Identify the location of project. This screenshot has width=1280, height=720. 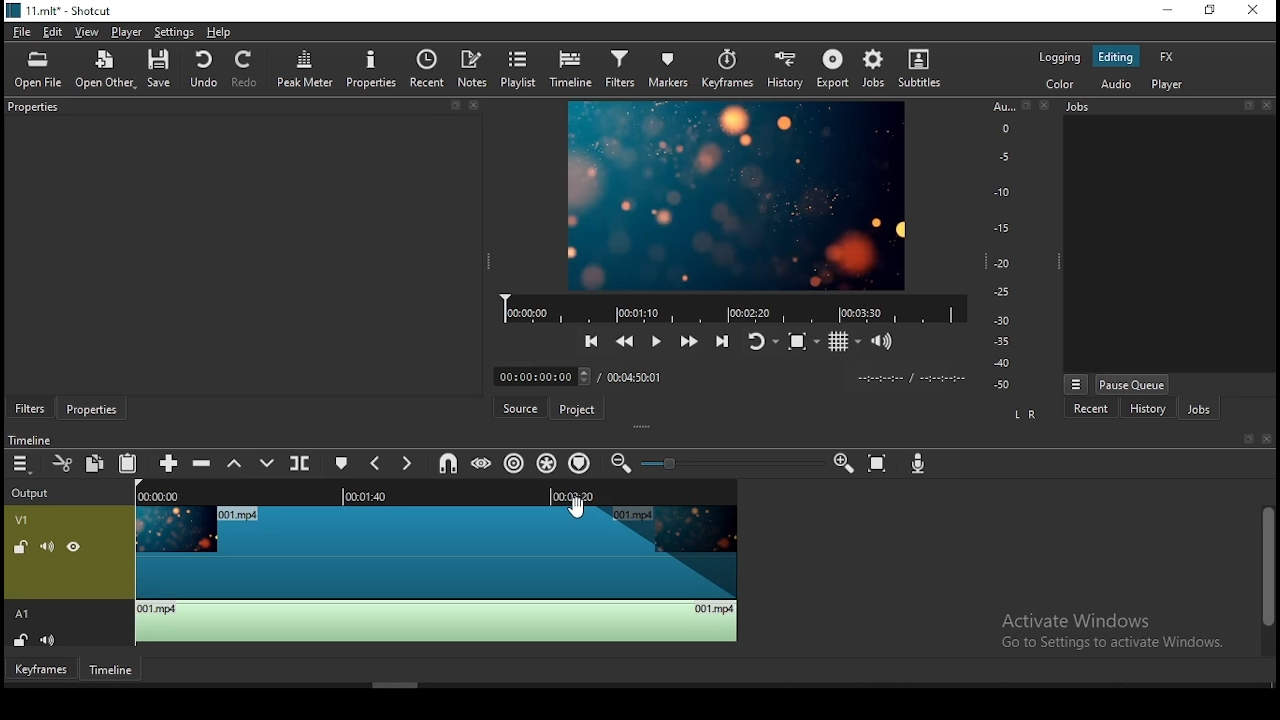
(576, 410).